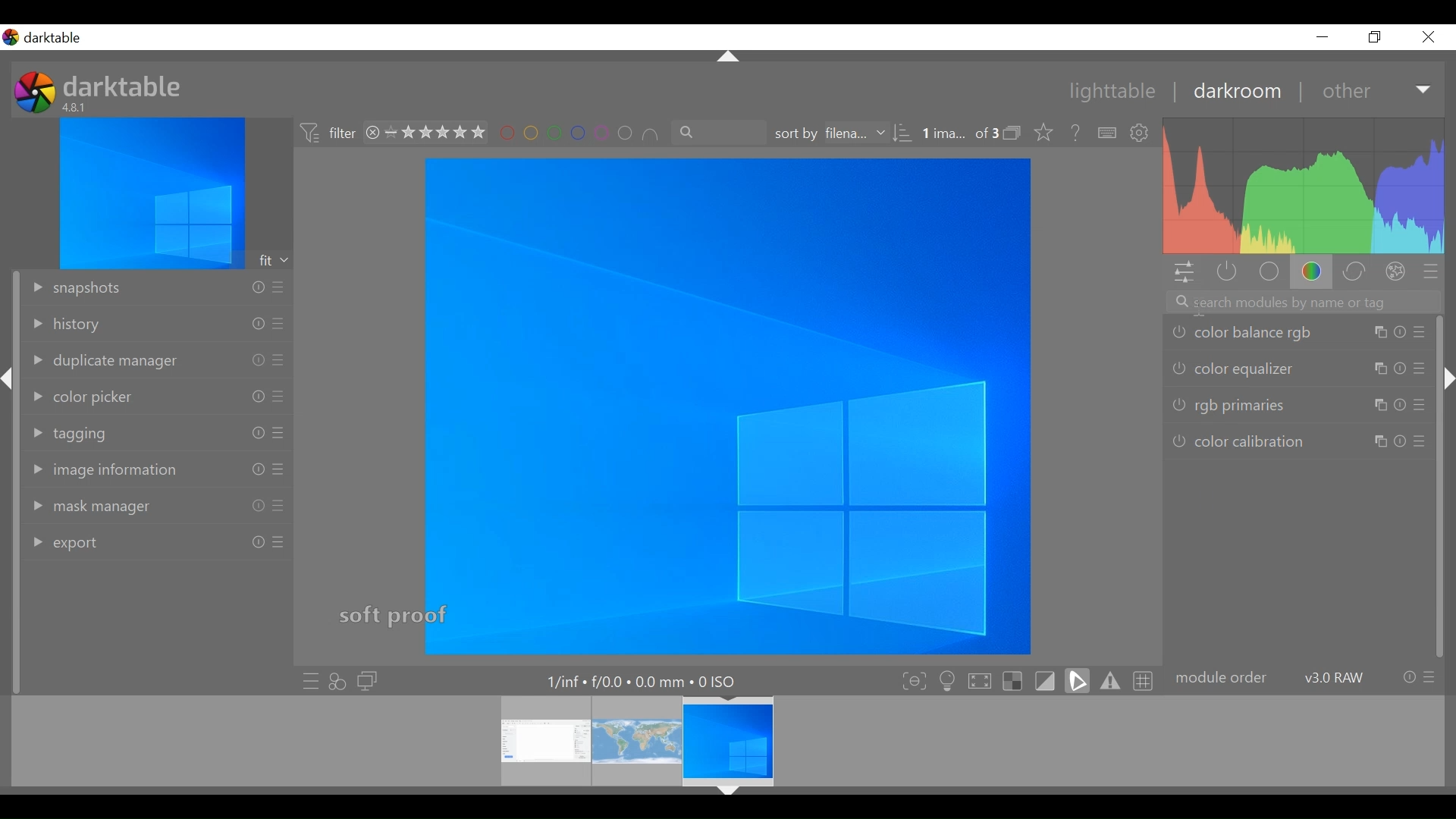 The height and width of the screenshot is (819, 1456). What do you see at coordinates (959, 134) in the screenshot?
I see `number of image selected` at bounding box center [959, 134].